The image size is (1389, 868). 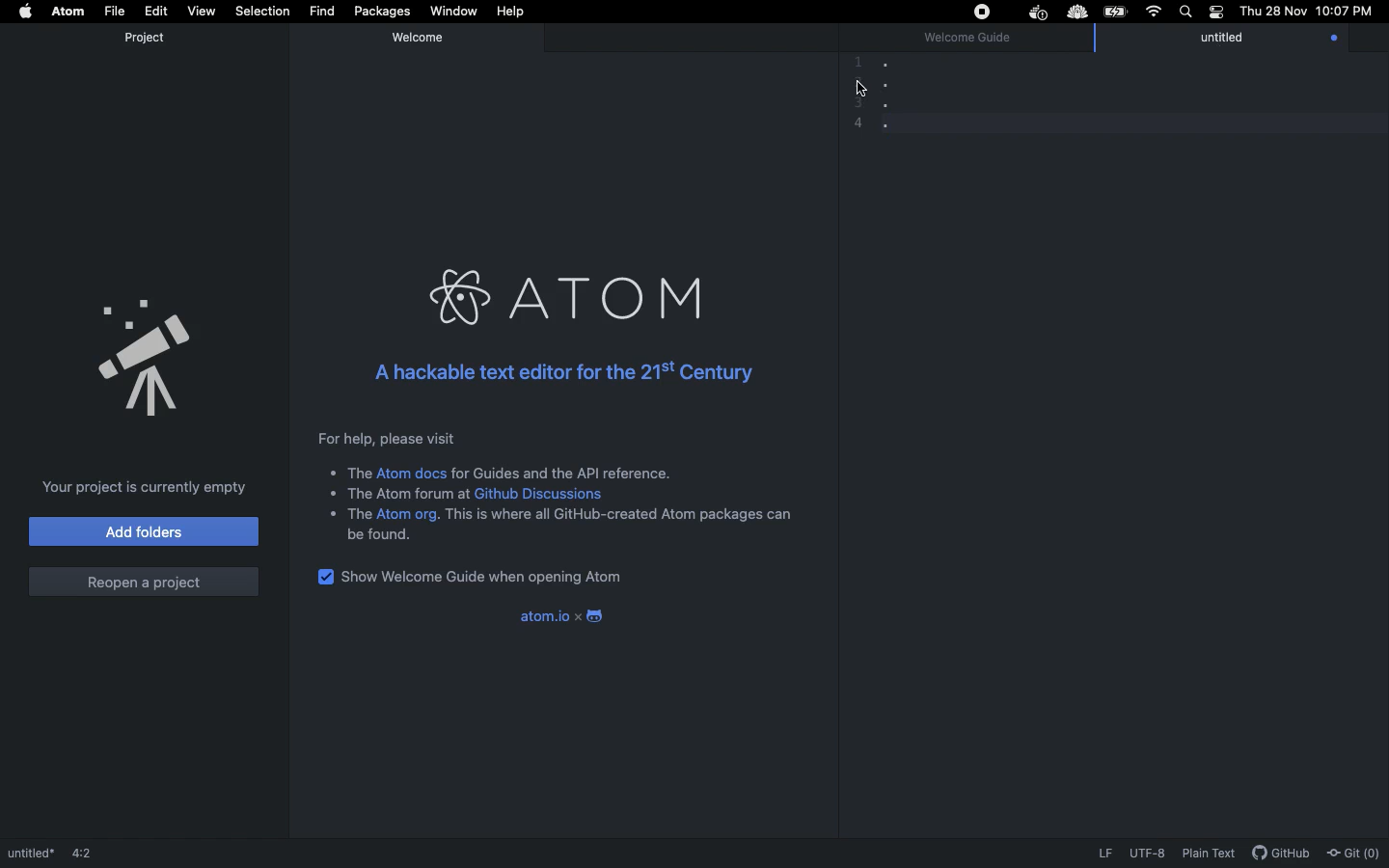 What do you see at coordinates (545, 495) in the screenshot?
I see `Github Discussion` at bounding box center [545, 495].